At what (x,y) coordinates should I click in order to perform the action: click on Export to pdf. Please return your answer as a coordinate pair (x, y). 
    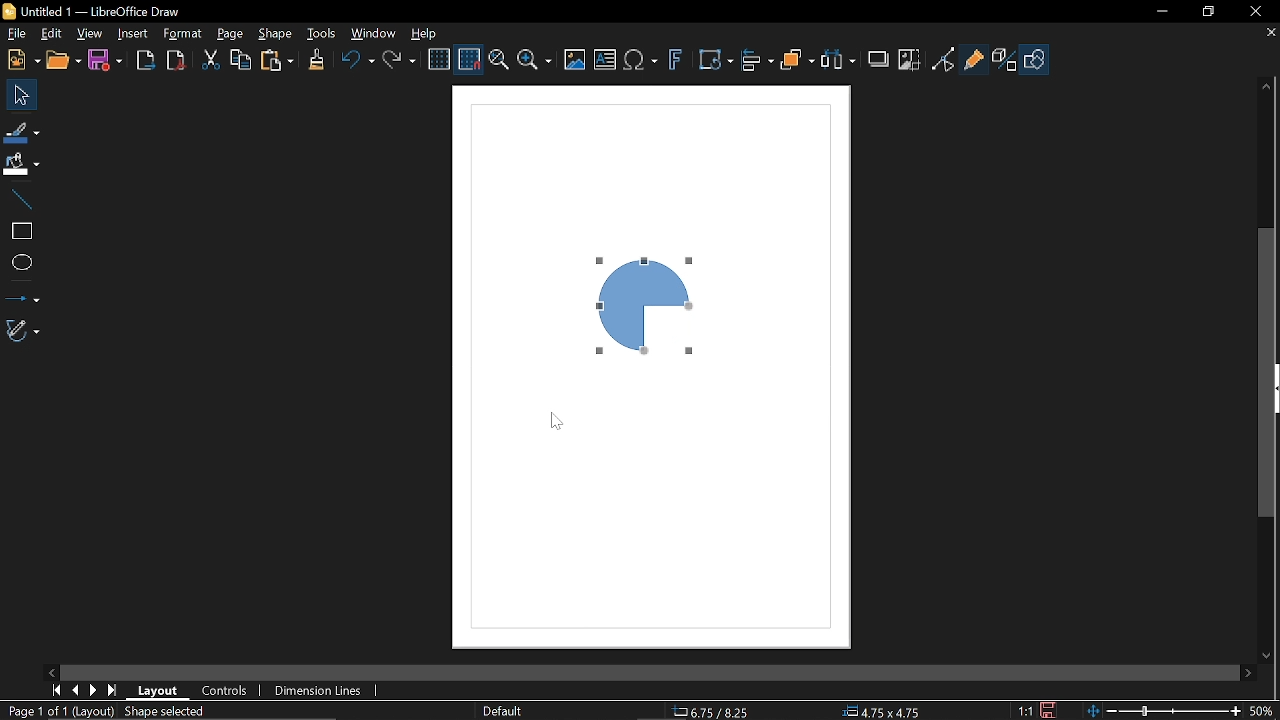
    Looking at the image, I should click on (175, 59).